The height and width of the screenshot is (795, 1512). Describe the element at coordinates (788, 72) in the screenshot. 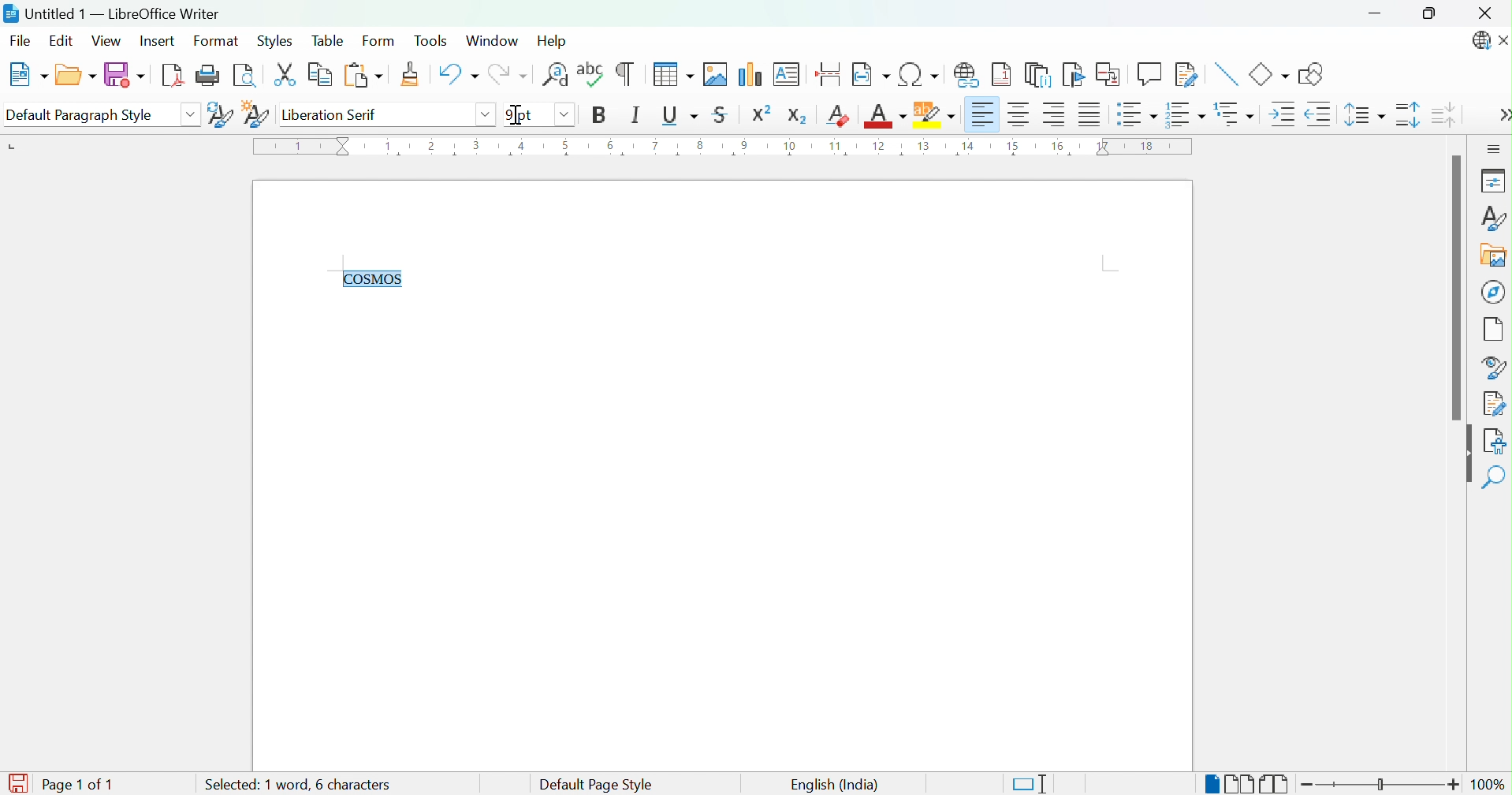

I see `Insert Text Box` at that location.